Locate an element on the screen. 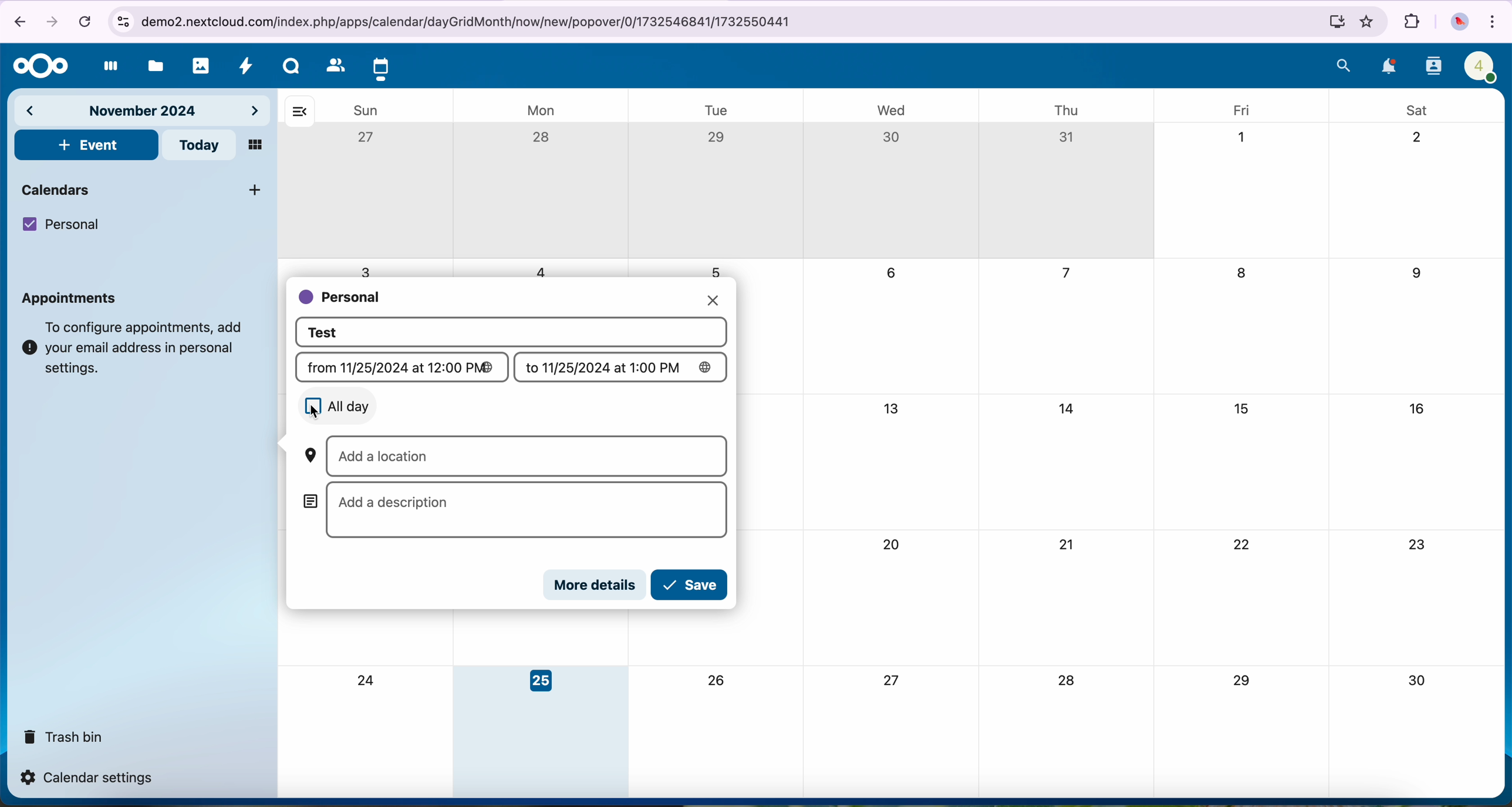 Image resolution: width=1512 pixels, height=807 pixels. 8 is located at coordinates (1244, 276).